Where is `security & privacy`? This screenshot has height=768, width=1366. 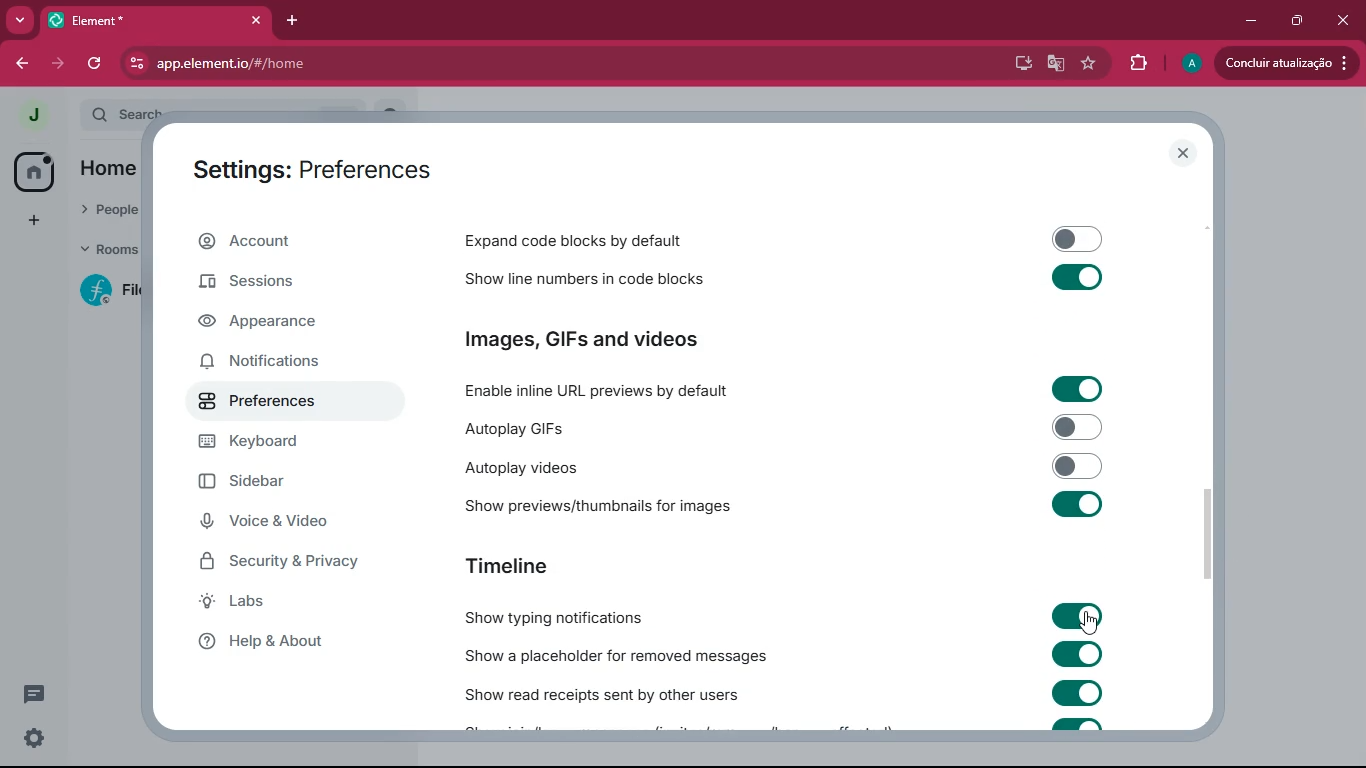
security & privacy is located at coordinates (292, 562).